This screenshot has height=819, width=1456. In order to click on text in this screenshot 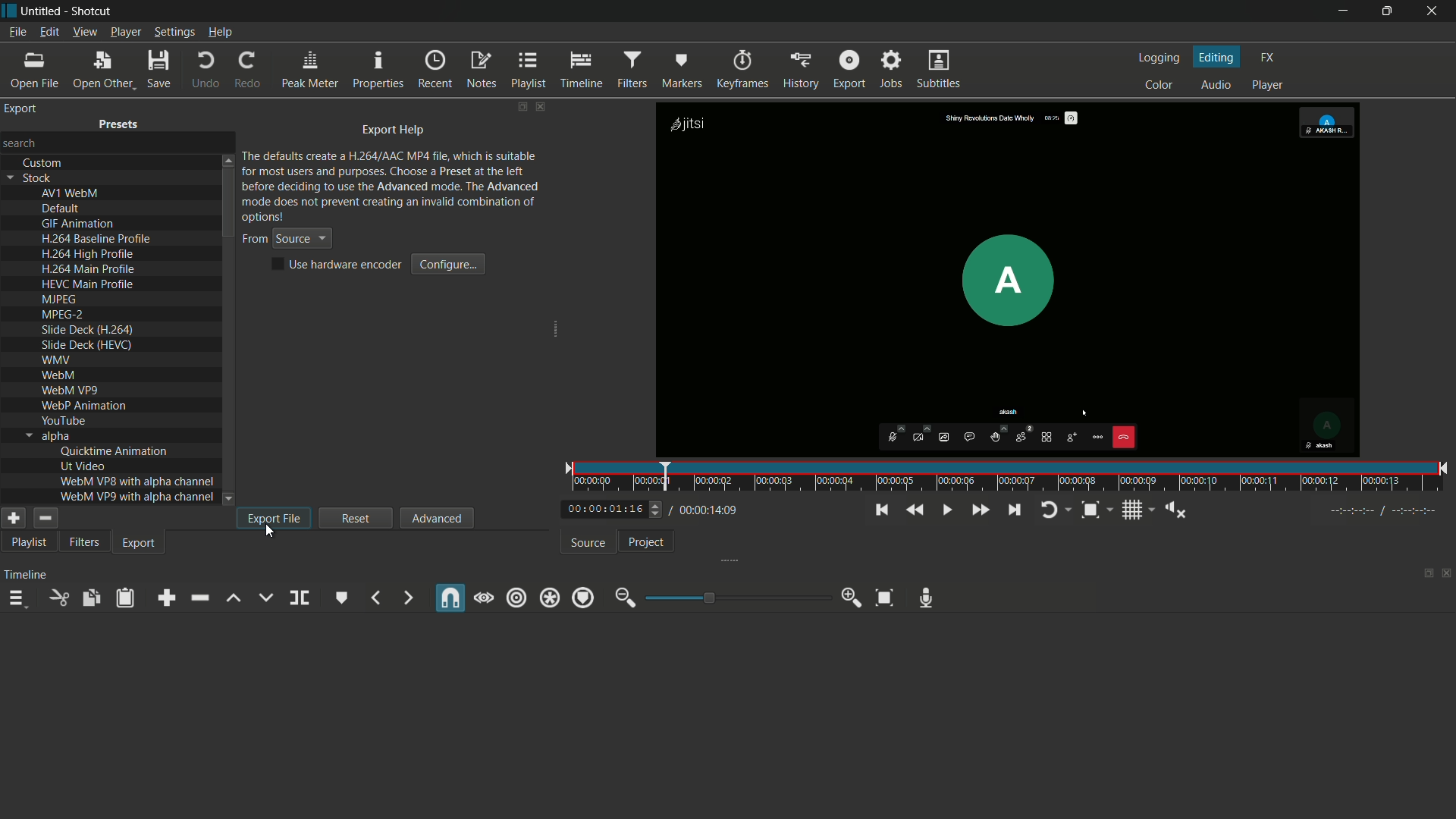, I will do `click(137, 480)`.